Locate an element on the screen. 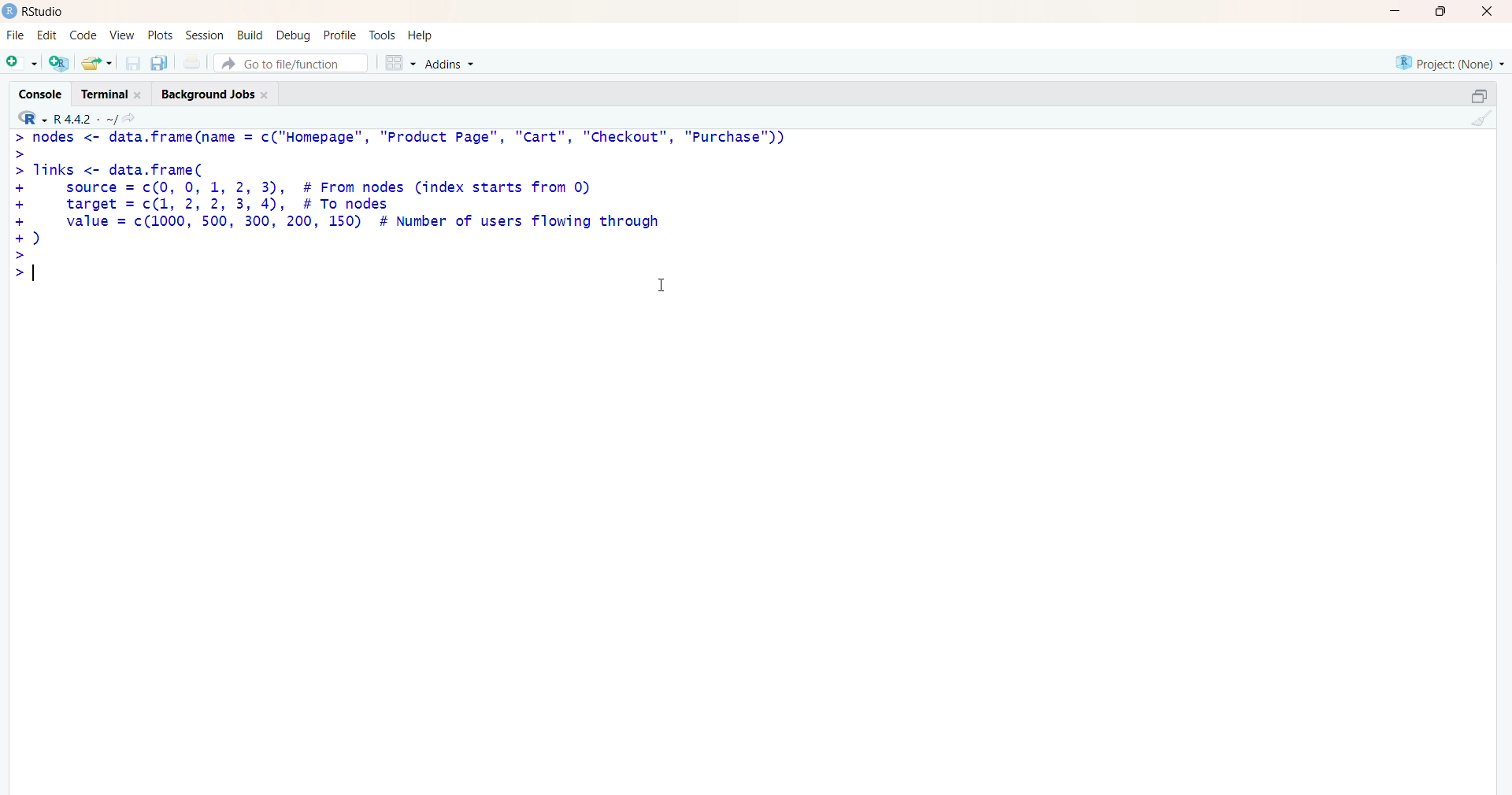 The width and height of the screenshot is (1512, 795). > nodes <- data.frame(name = c("Homepage", "Product Page”, "Cart", "Checkout", "Purchase"))
>

> links <- data.frame(

+ source = c(0, 0, 1, 2, 3), # From nodes (index starts from 0)

+ target = c(1, 2, 2, 3, 4), # To nodes

+ value = c(1000, 500, 300, 200, 150) # Number of users flowing through

+) is located at coordinates (415, 209).